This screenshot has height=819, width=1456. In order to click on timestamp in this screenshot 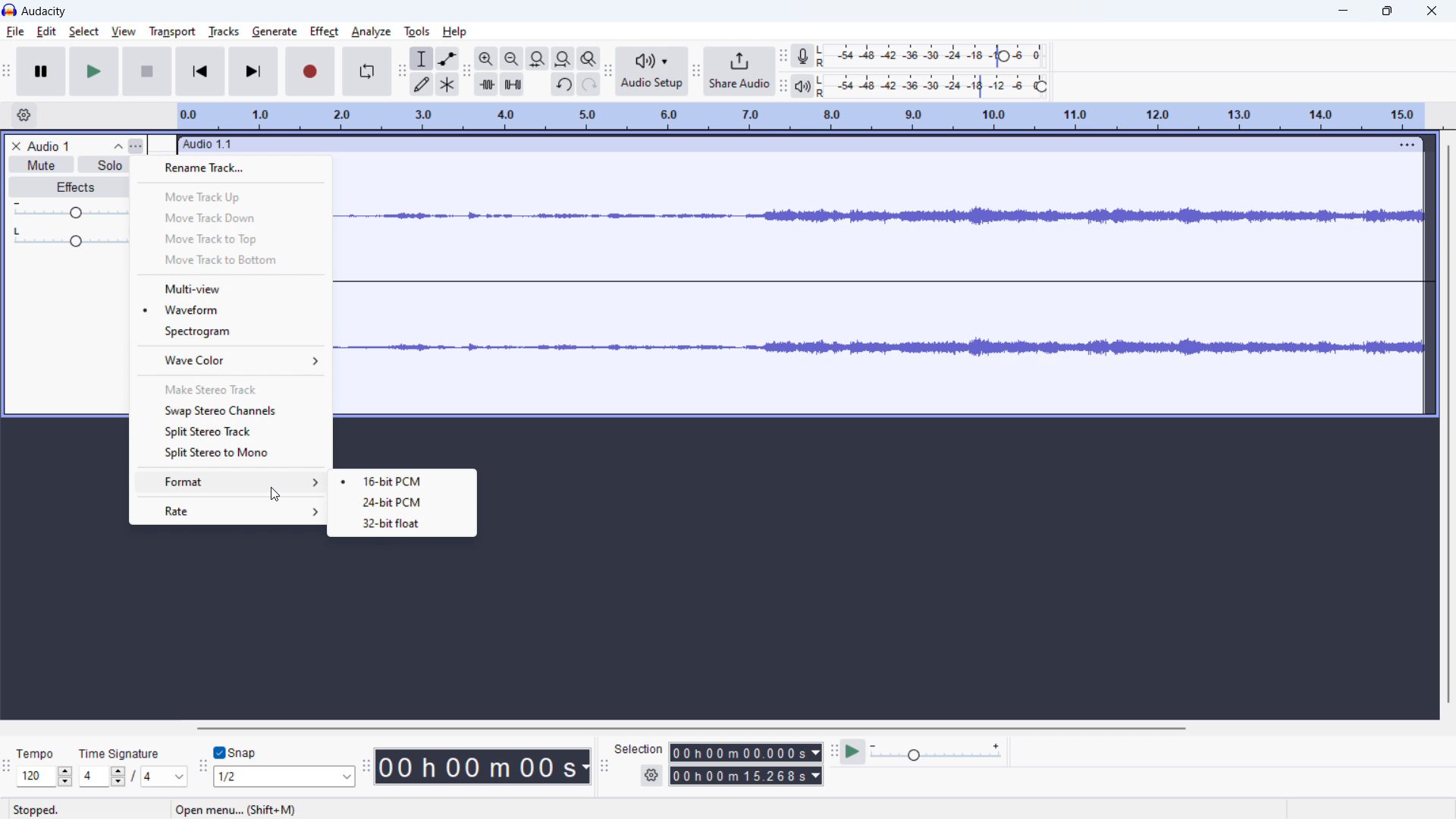, I will do `click(483, 765)`.